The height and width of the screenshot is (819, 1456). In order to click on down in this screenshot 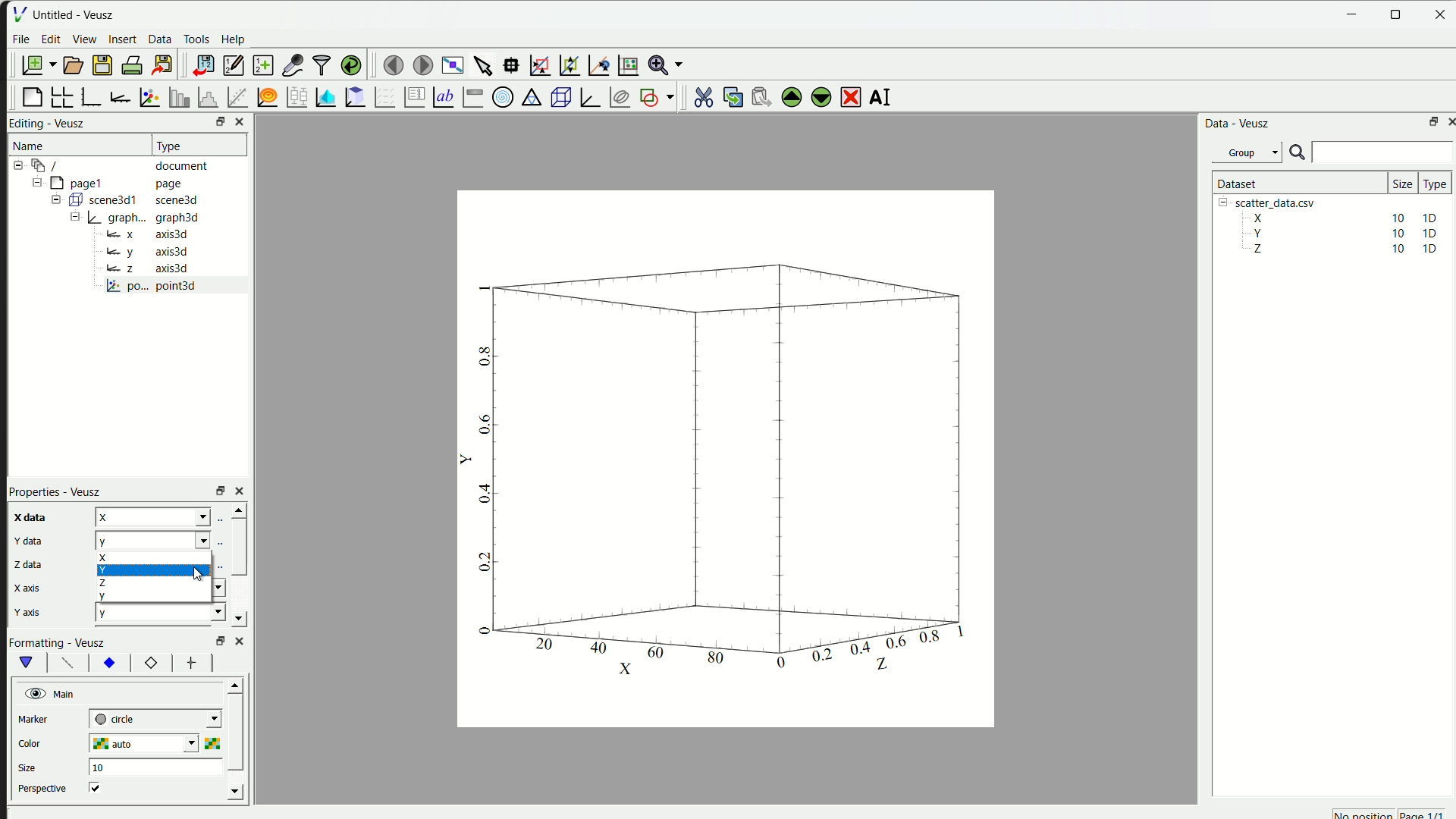, I will do `click(242, 620)`.